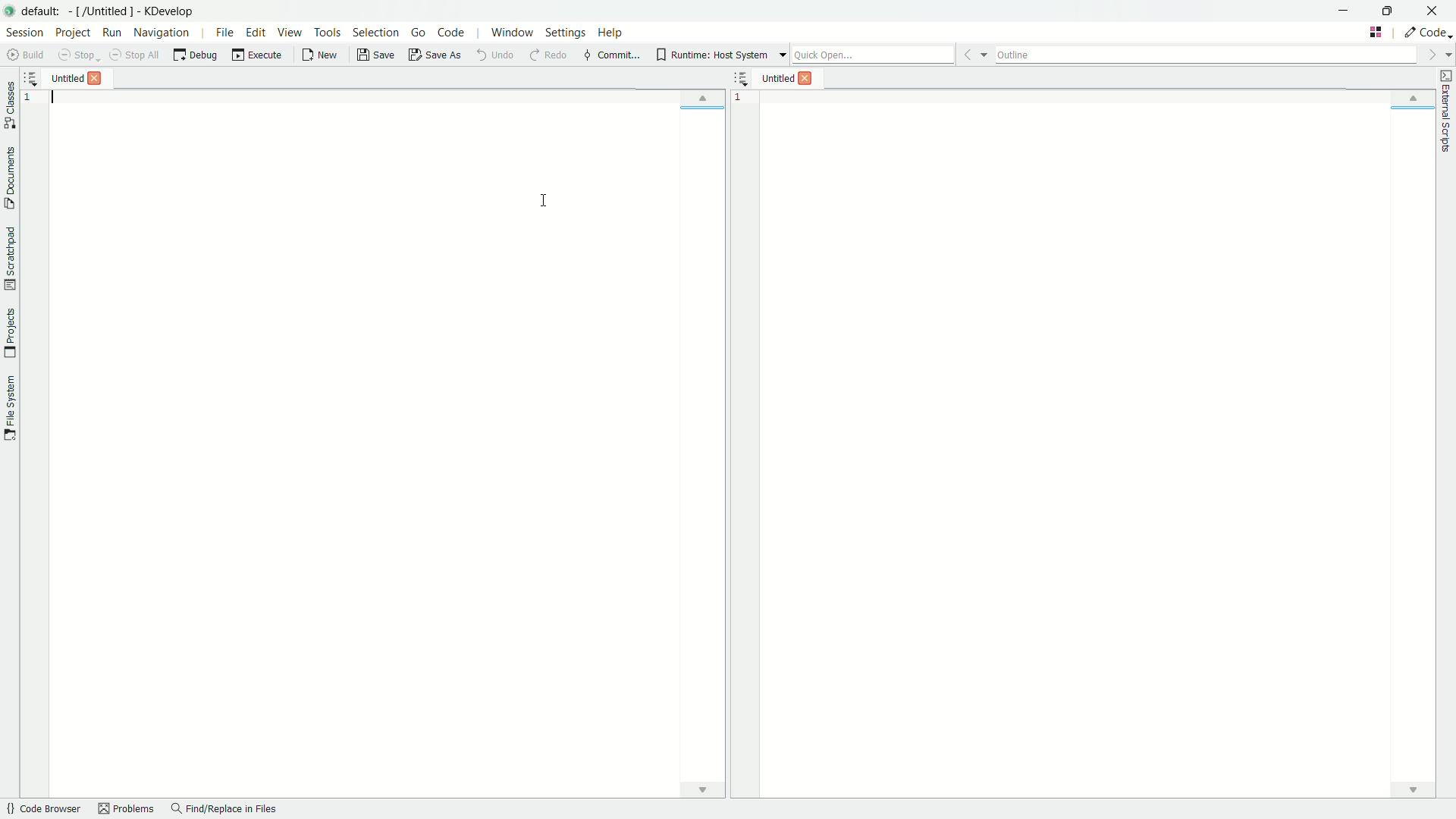 Image resolution: width=1456 pixels, height=819 pixels. I want to click on file menu, so click(227, 32).